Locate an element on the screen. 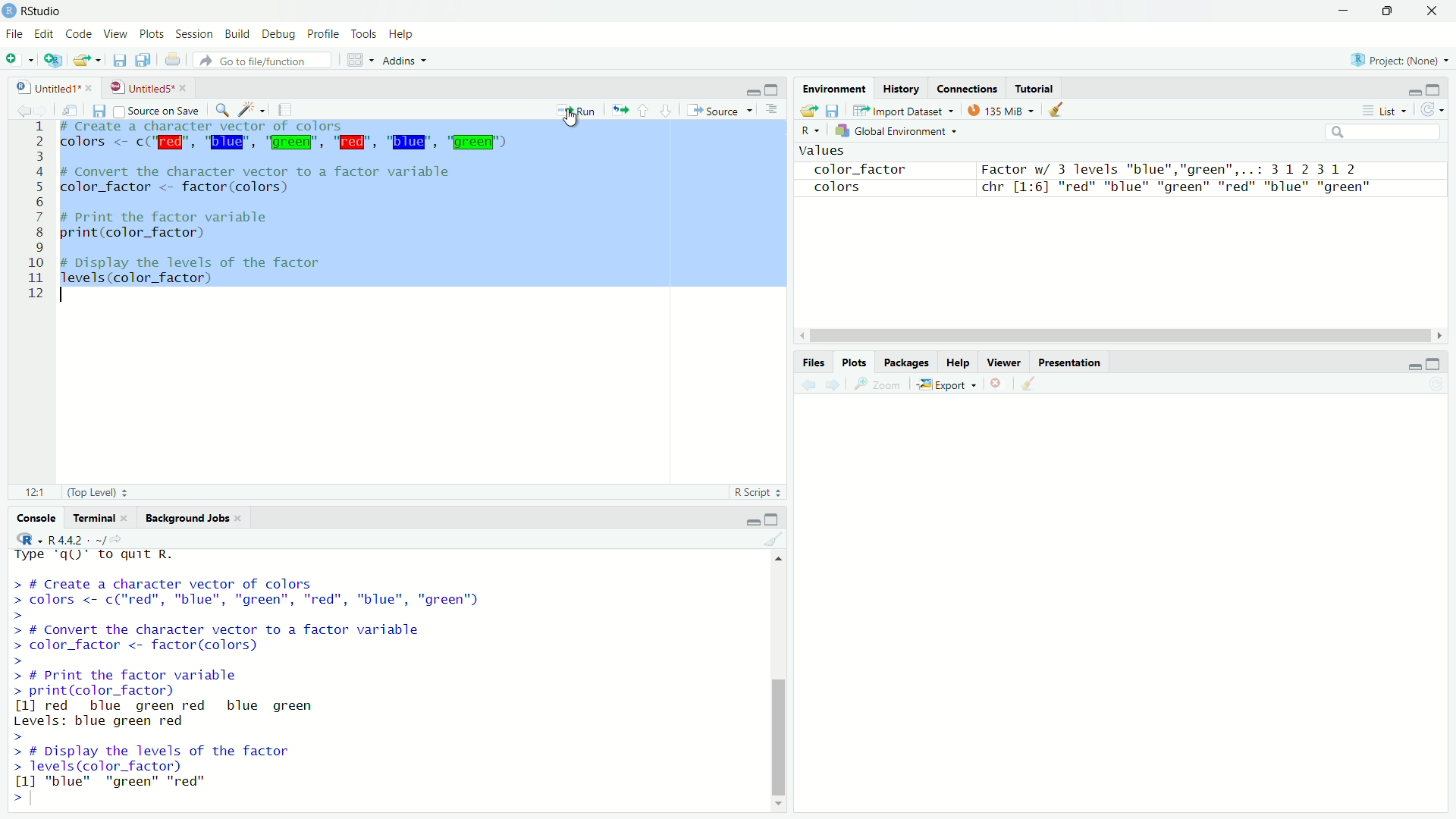 Image resolution: width=1456 pixels, height=819 pixels. edit is located at coordinates (44, 34).